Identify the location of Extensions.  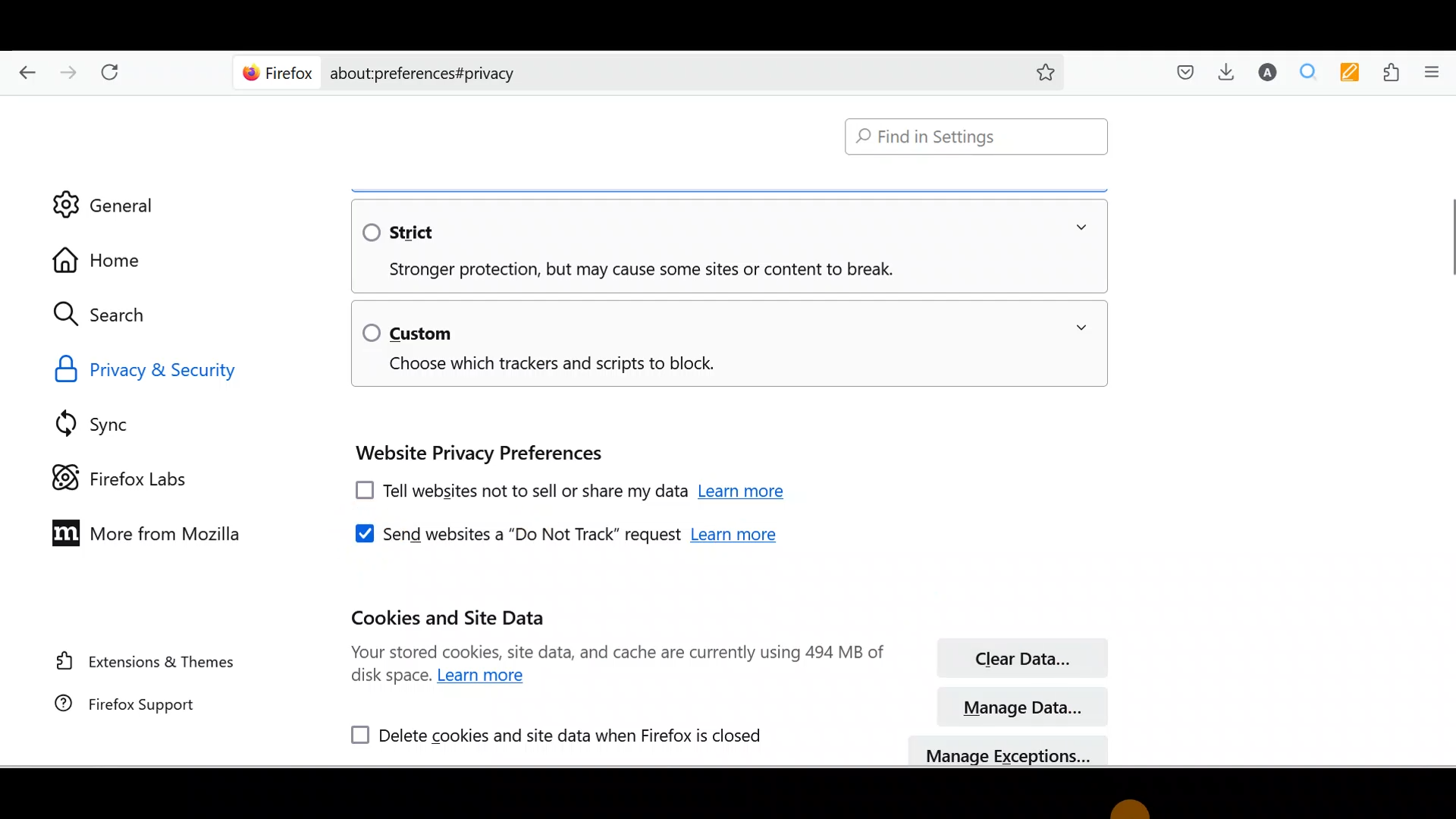
(1390, 72).